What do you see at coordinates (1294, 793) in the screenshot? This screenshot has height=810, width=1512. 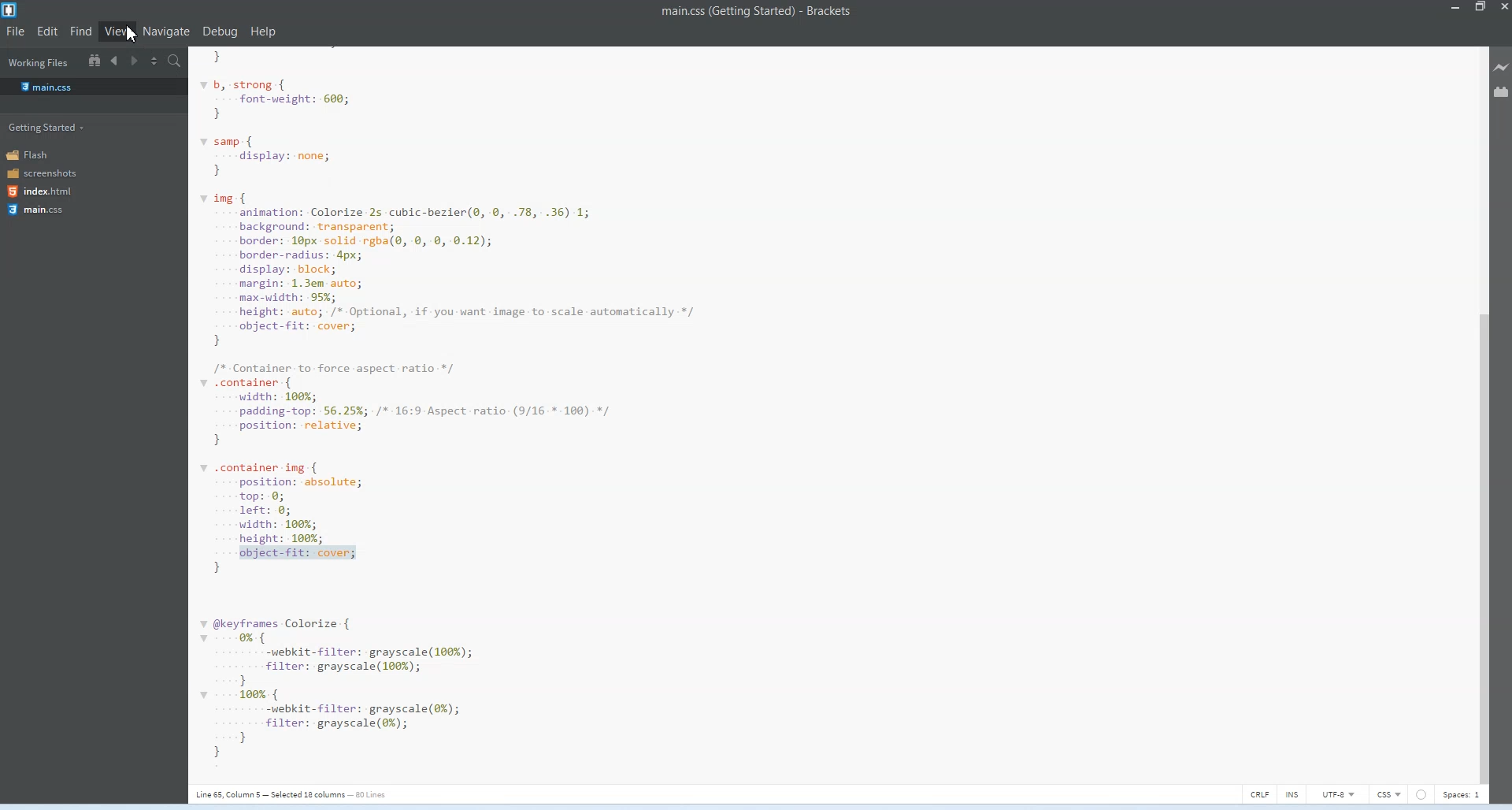 I see `INS` at bounding box center [1294, 793].